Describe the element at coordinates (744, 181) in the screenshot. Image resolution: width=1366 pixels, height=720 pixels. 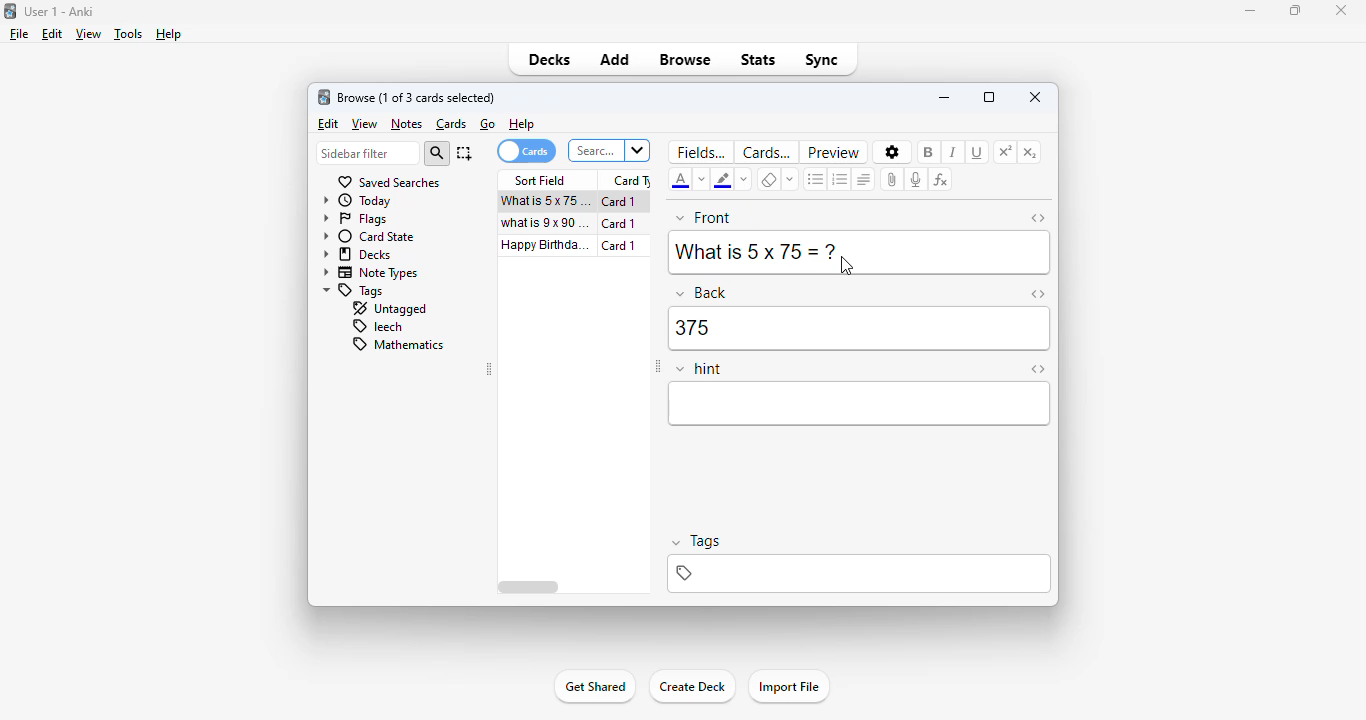
I see `change color` at that location.